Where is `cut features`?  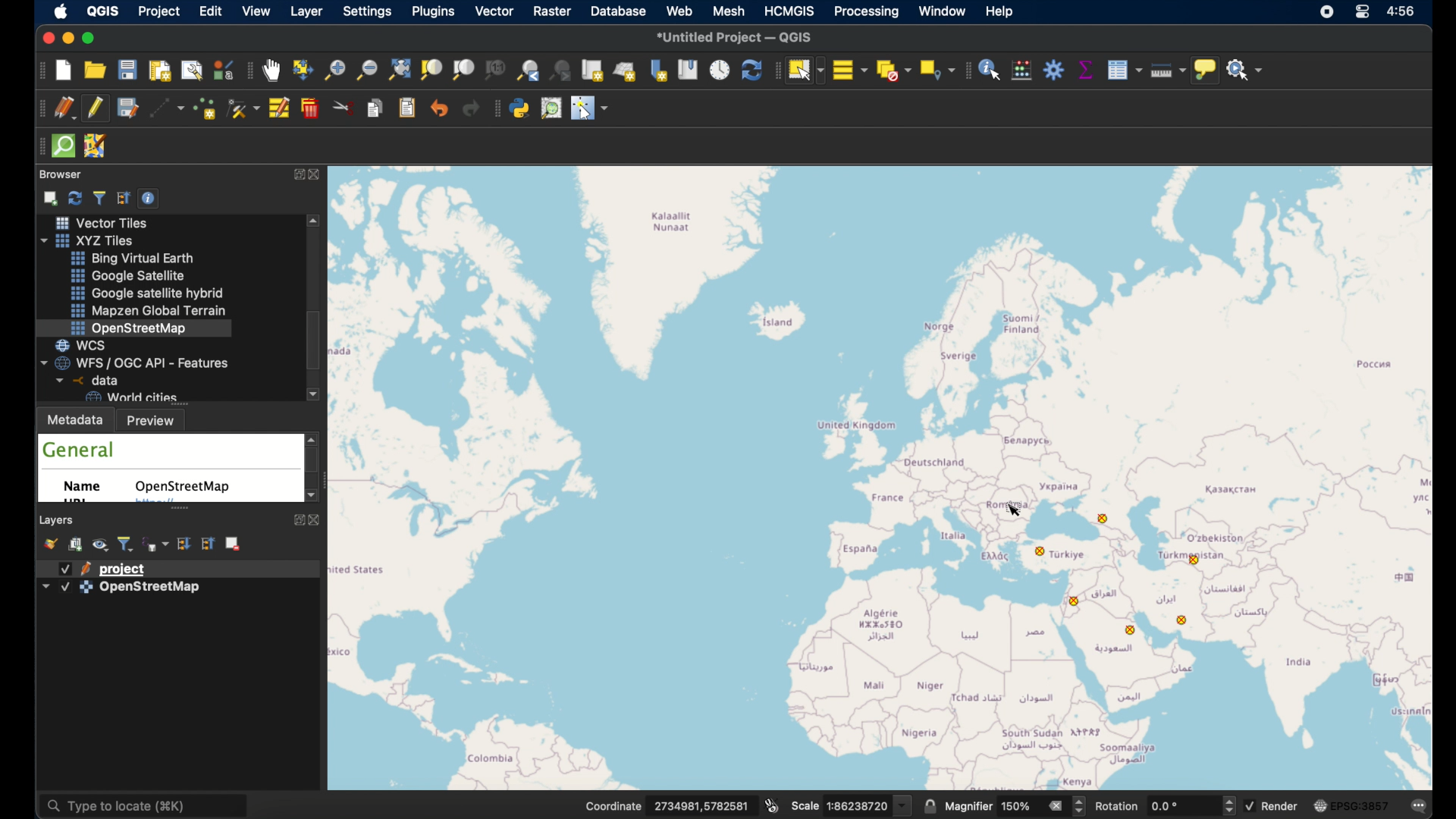
cut features is located at coordinates (344, 108).